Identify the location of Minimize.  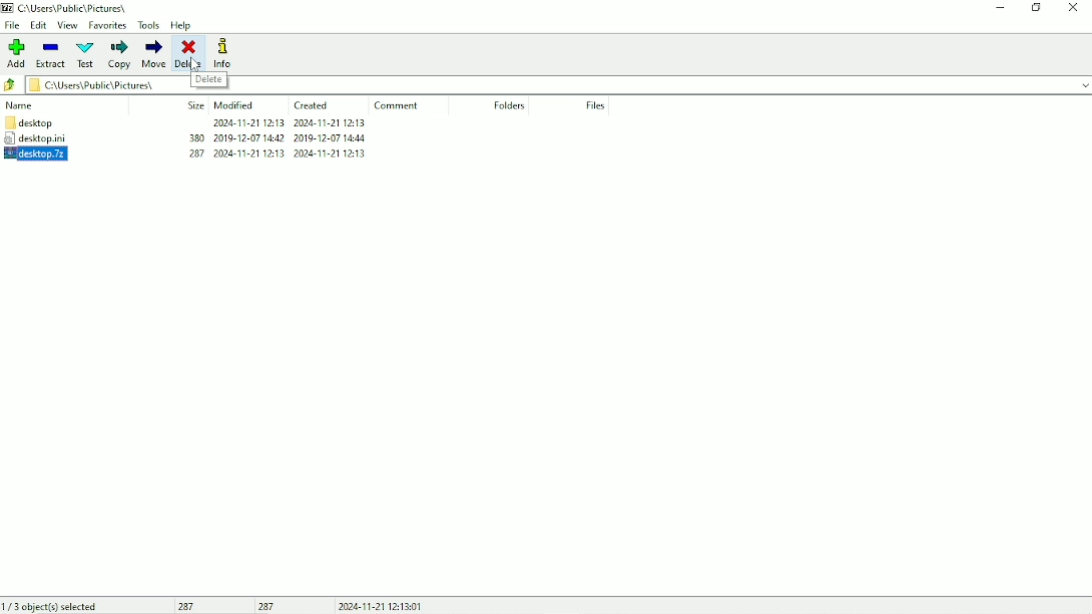
(998, 9).